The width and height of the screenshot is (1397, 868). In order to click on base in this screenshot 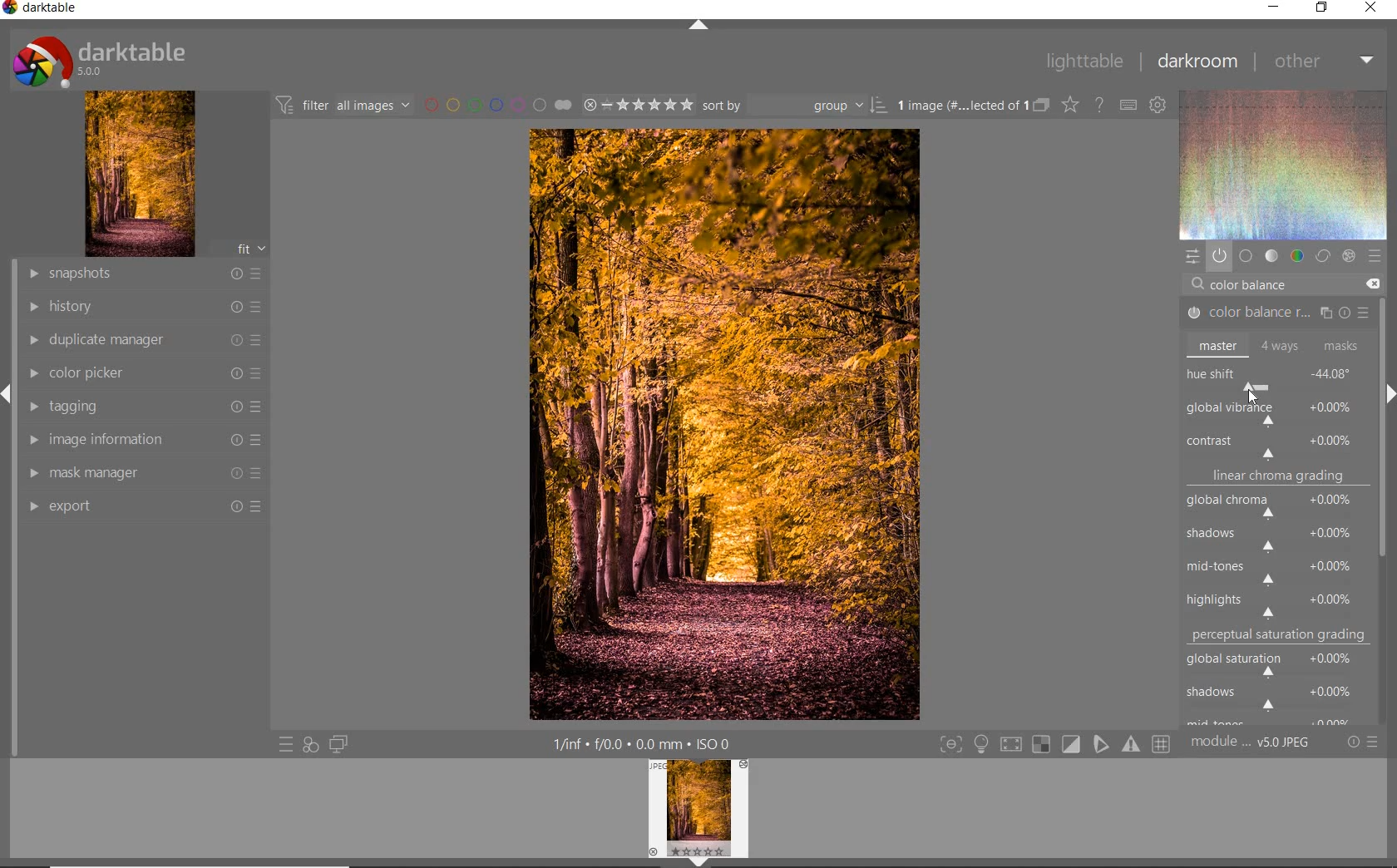, I will do `click(1246, 256)`.